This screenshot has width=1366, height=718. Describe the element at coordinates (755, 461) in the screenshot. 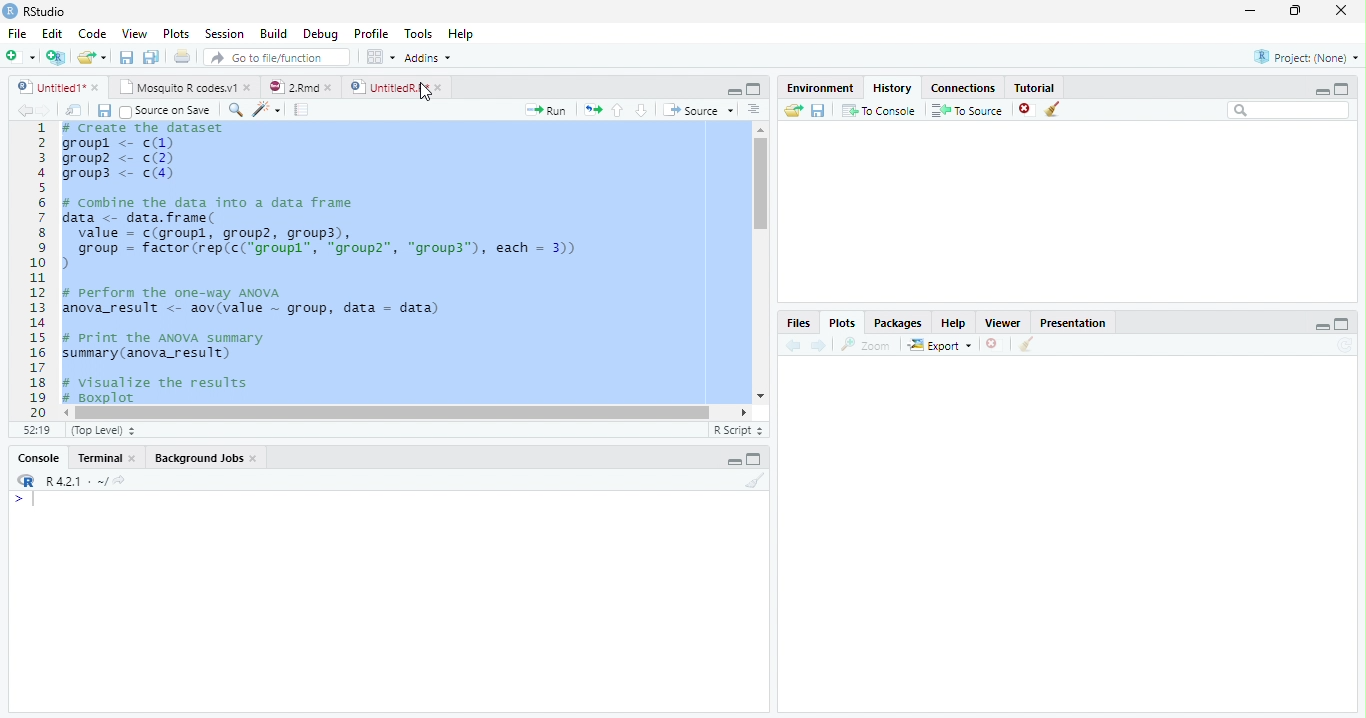

I see `Maximize` at that location.